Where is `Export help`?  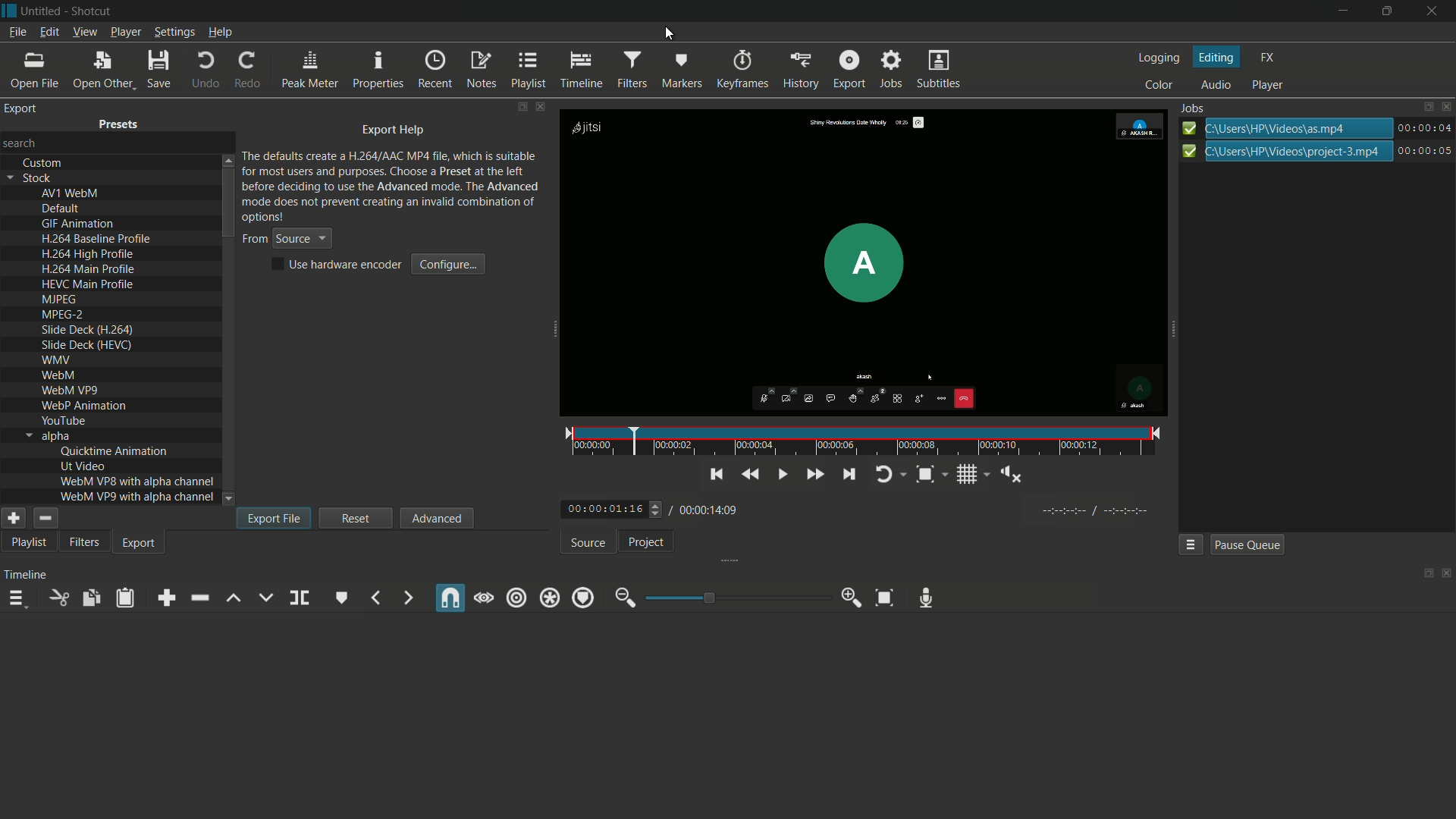 Export help is located at coordinates (386, 128).